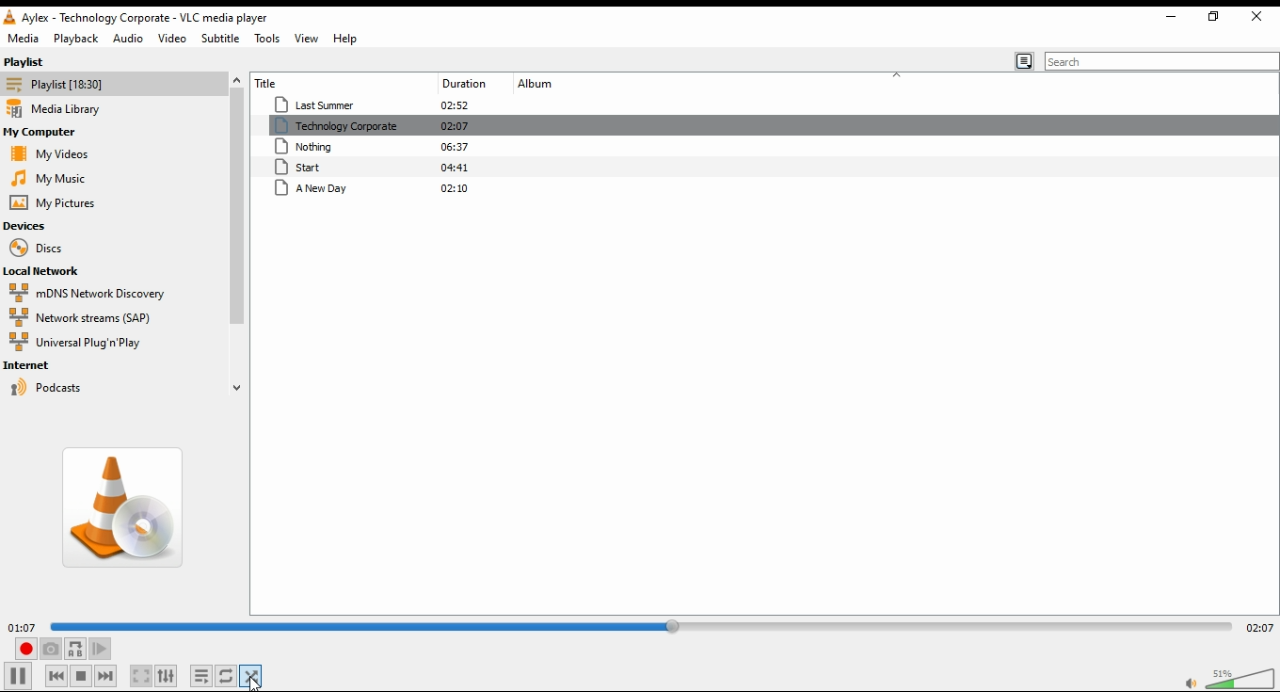  Describe the element at coordinates (51, 389) in the screenshot. I see `podcasts` at that location.